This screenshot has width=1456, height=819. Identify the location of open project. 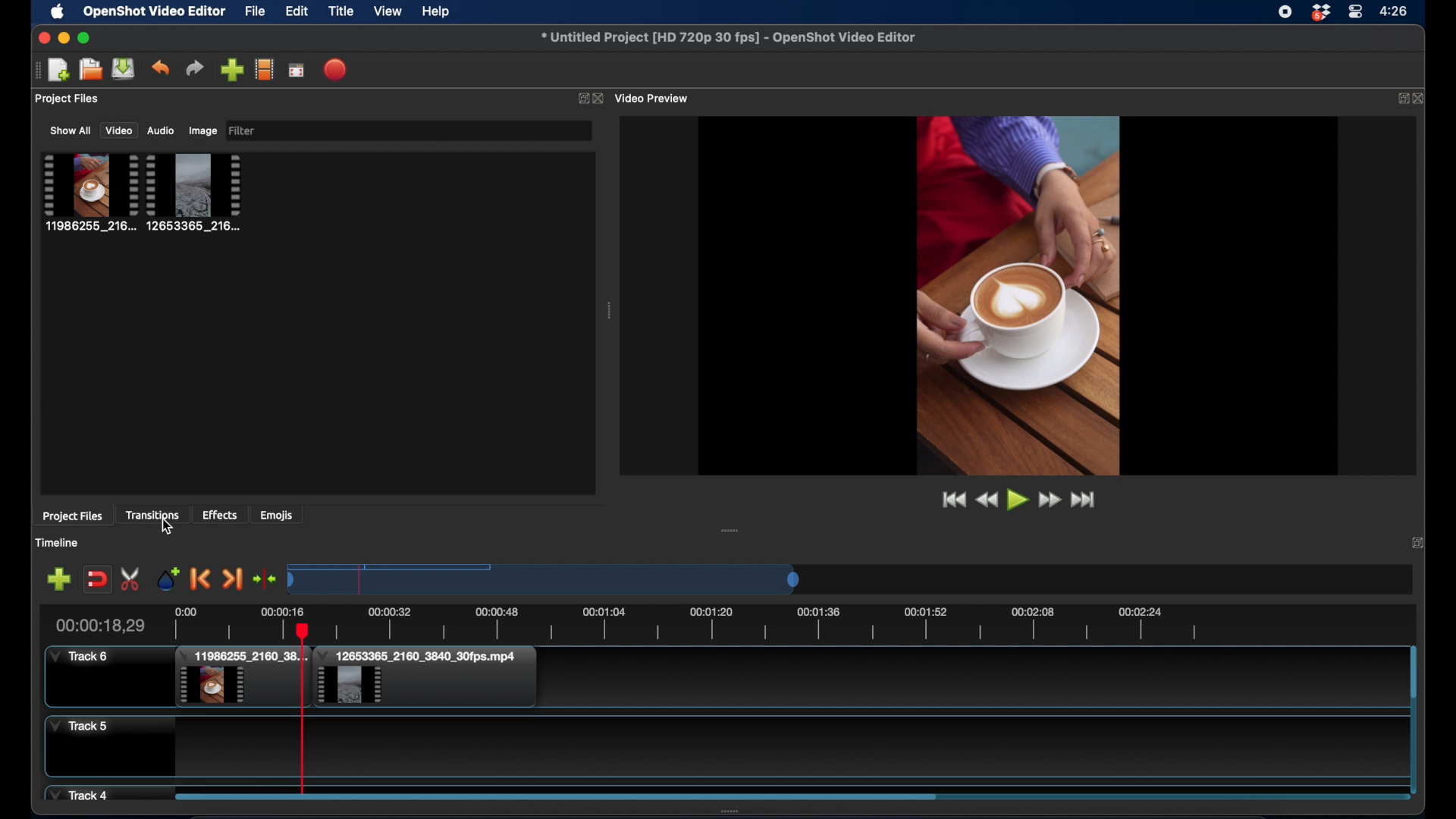
(58, 71).